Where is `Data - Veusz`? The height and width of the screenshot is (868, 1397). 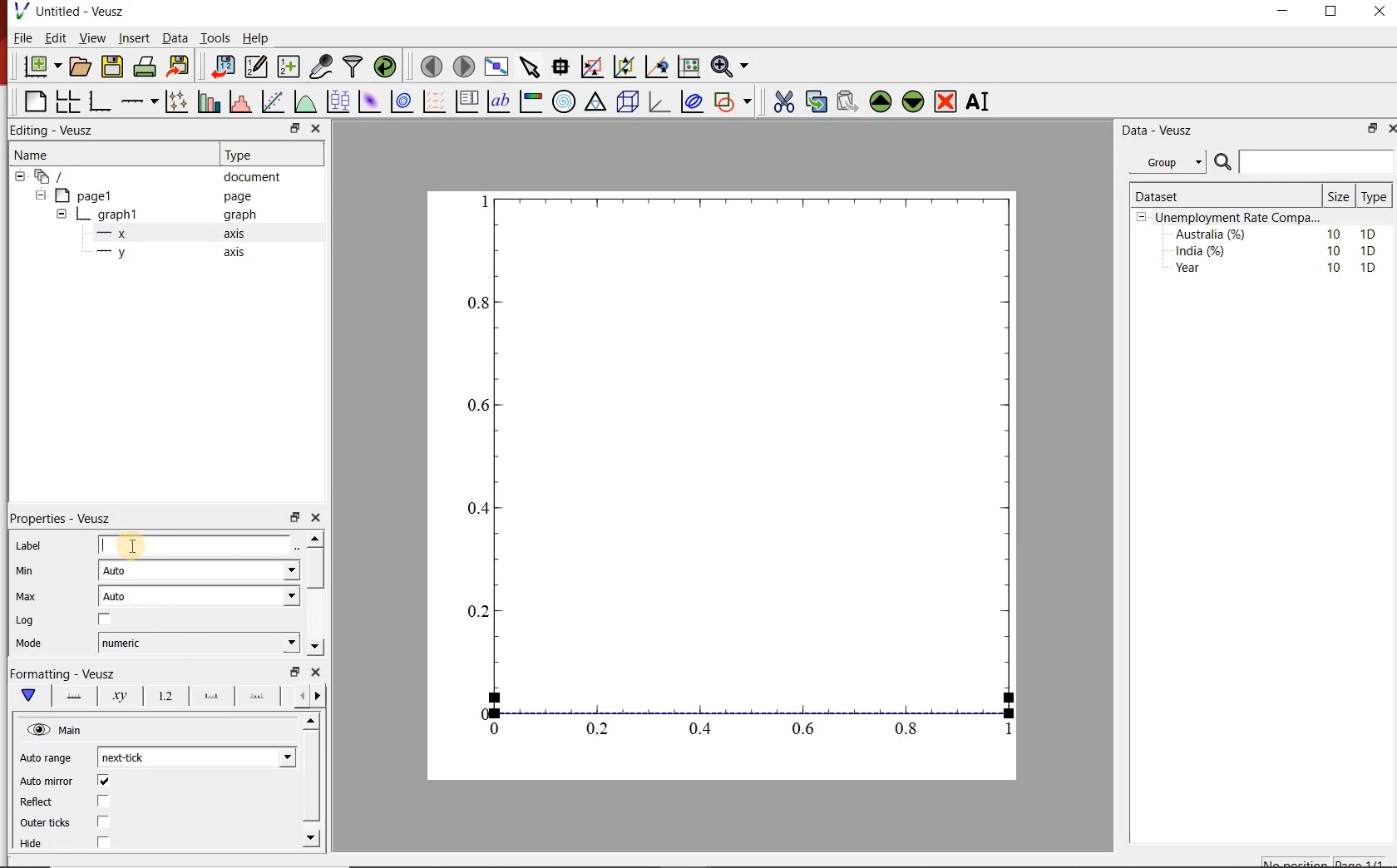
Data - Veusz is located at coordinates (1173, 131).